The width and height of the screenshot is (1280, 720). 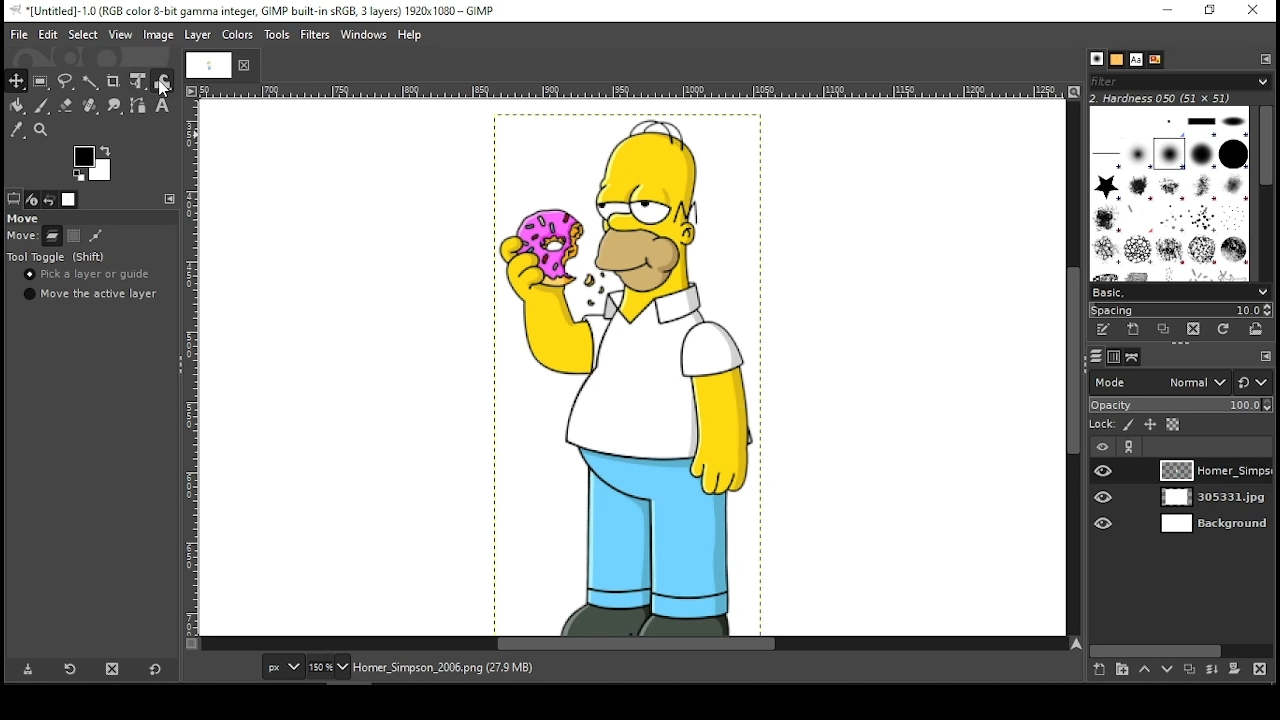 I want to click on move tool, so click(x=16, y=80).